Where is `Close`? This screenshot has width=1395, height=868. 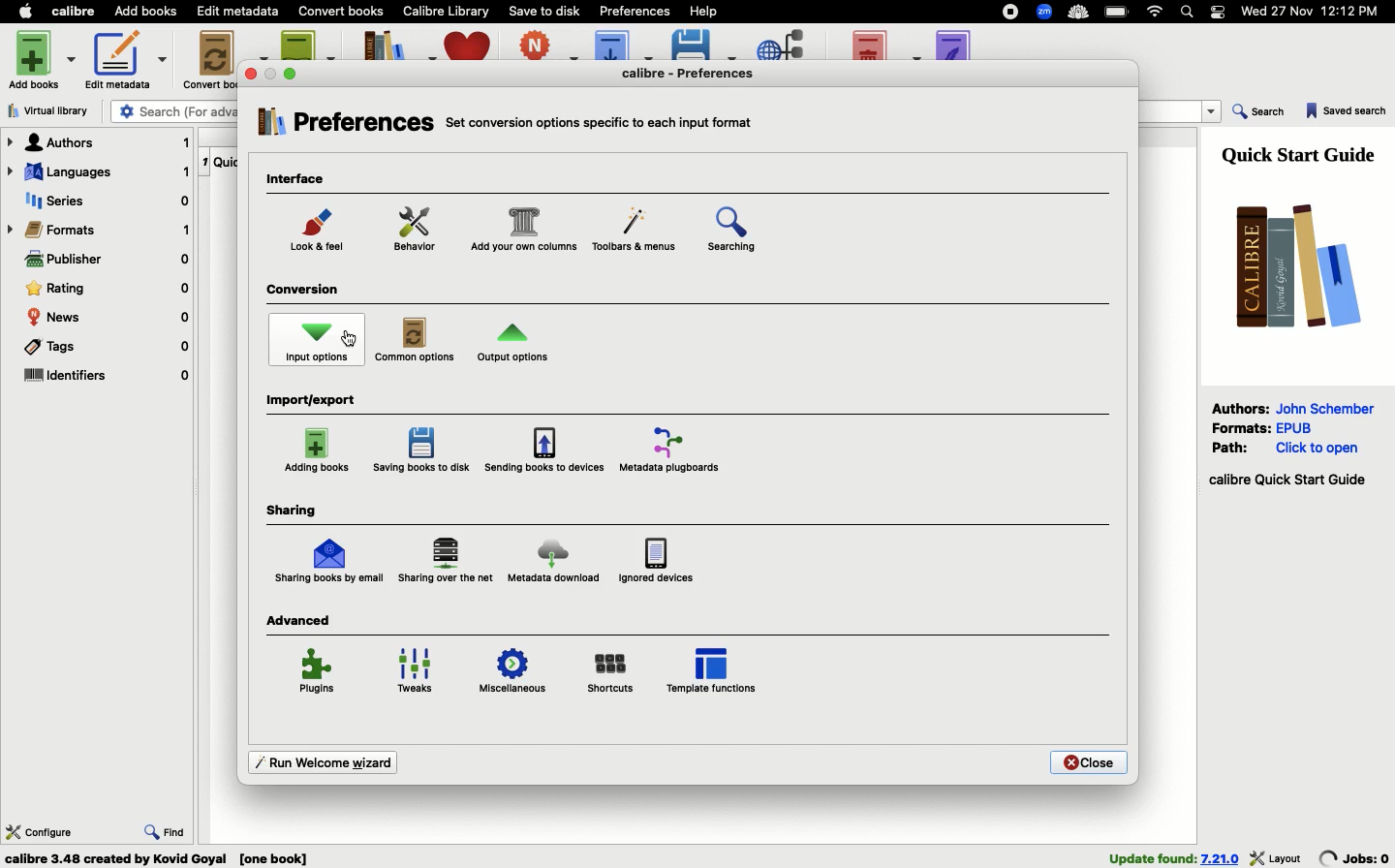 Close is located at coordinates (1088, 762).